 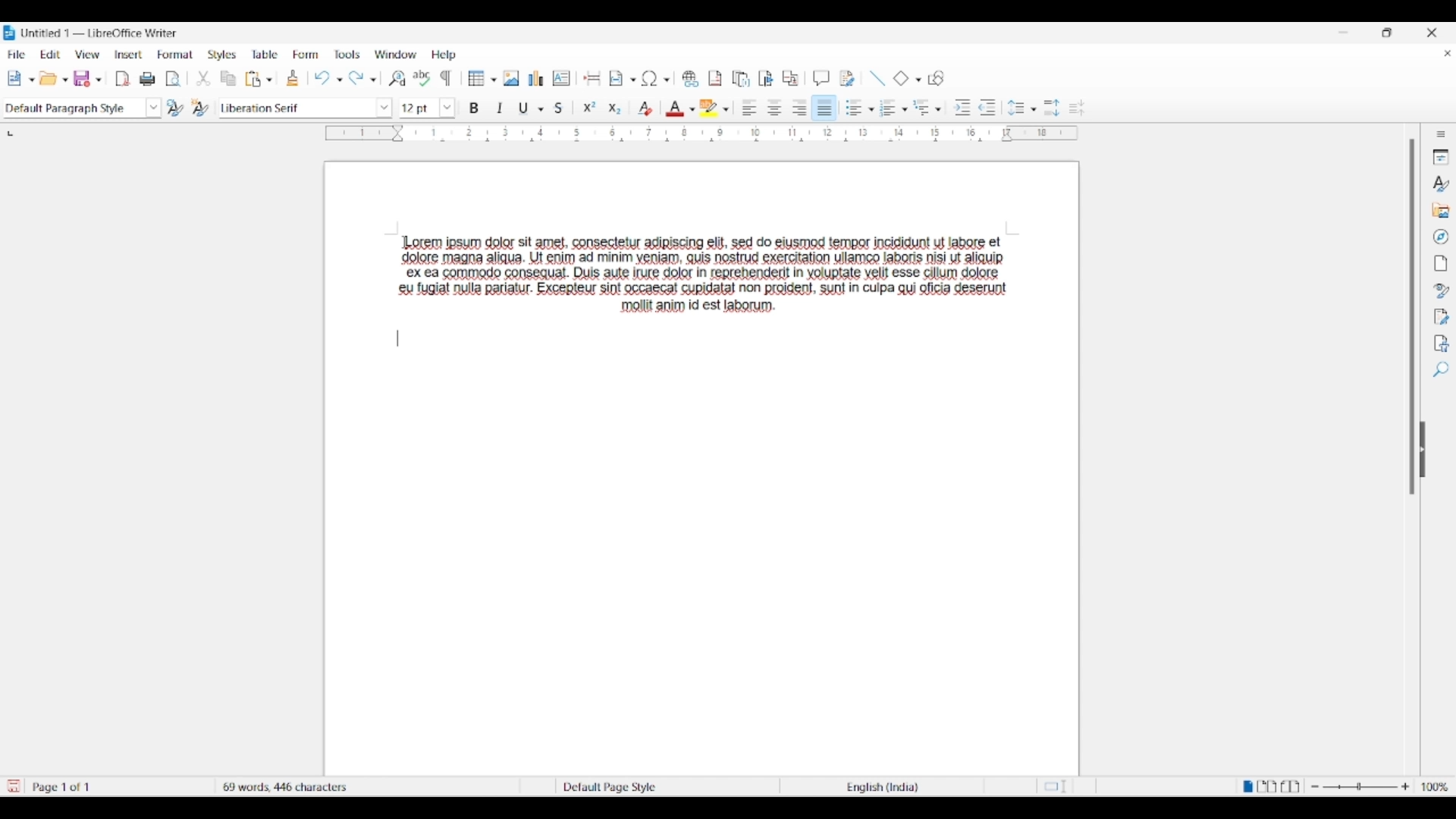 I want to click on Selected basic shape, so click(x=901, y=77).